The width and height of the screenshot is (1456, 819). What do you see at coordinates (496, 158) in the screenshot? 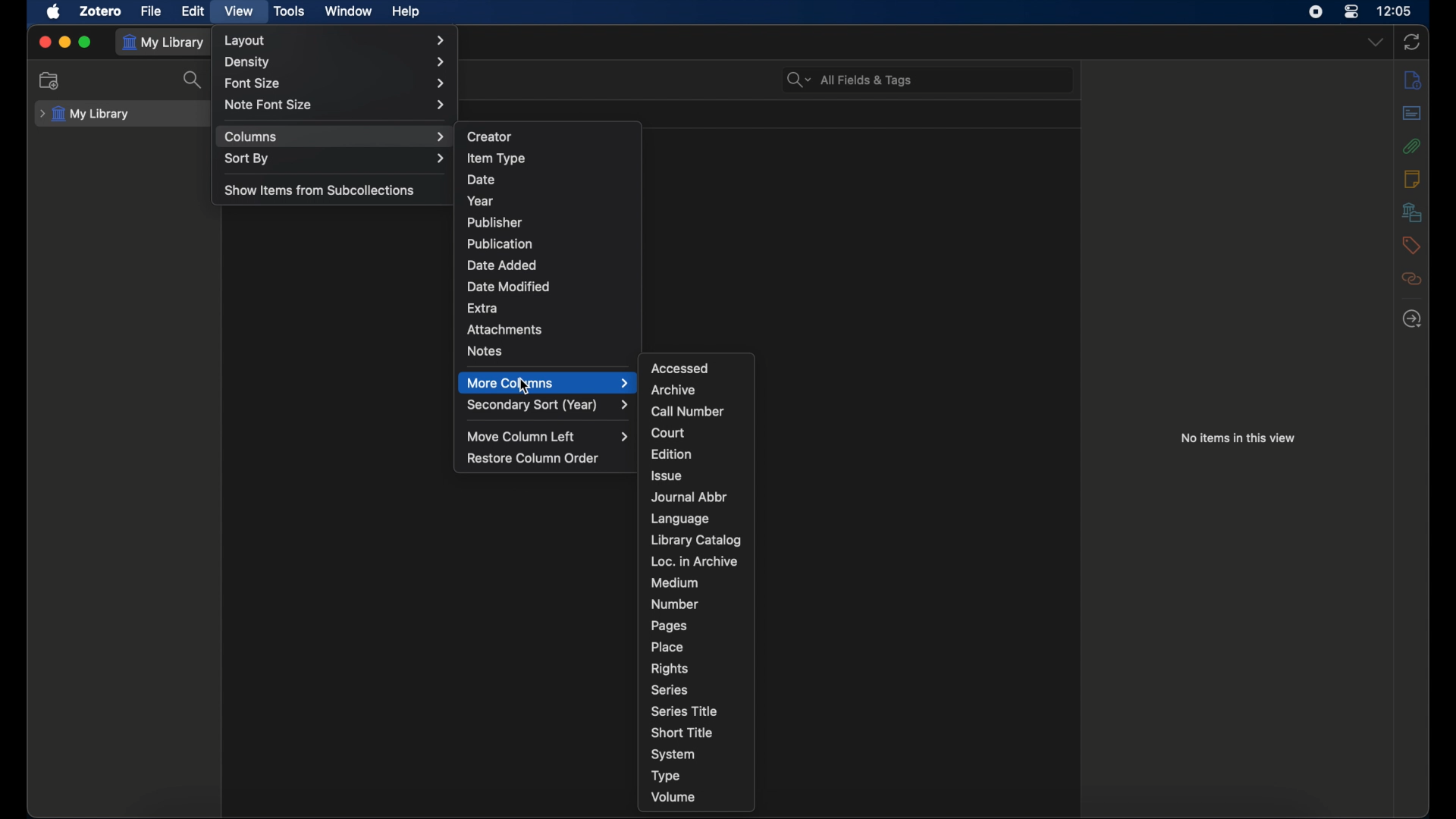
I see `item type` at bounding box center [496, 158].